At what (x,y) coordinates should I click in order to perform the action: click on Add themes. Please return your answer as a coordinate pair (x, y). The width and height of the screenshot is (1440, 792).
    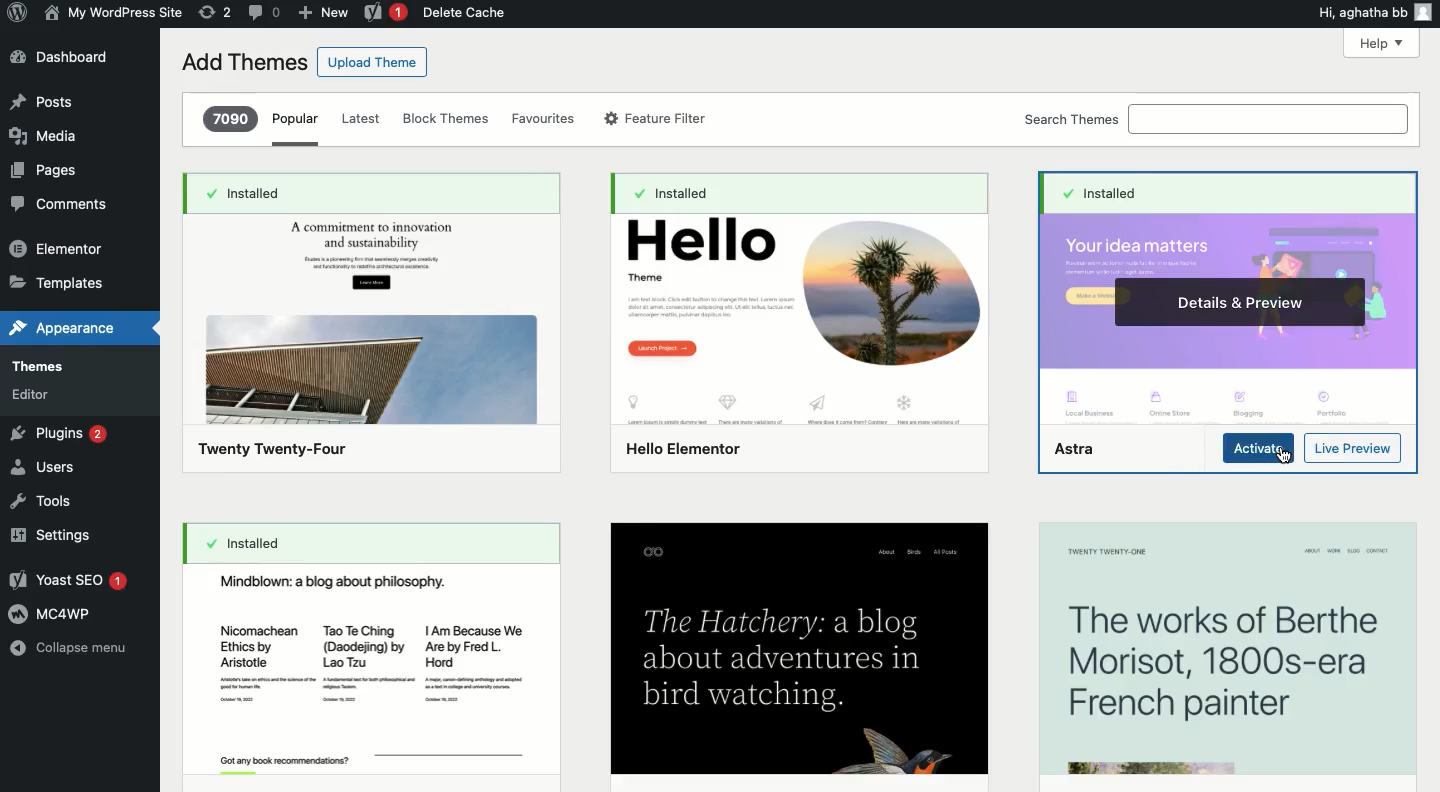
    Looking at the image, I should click on (241, 62).